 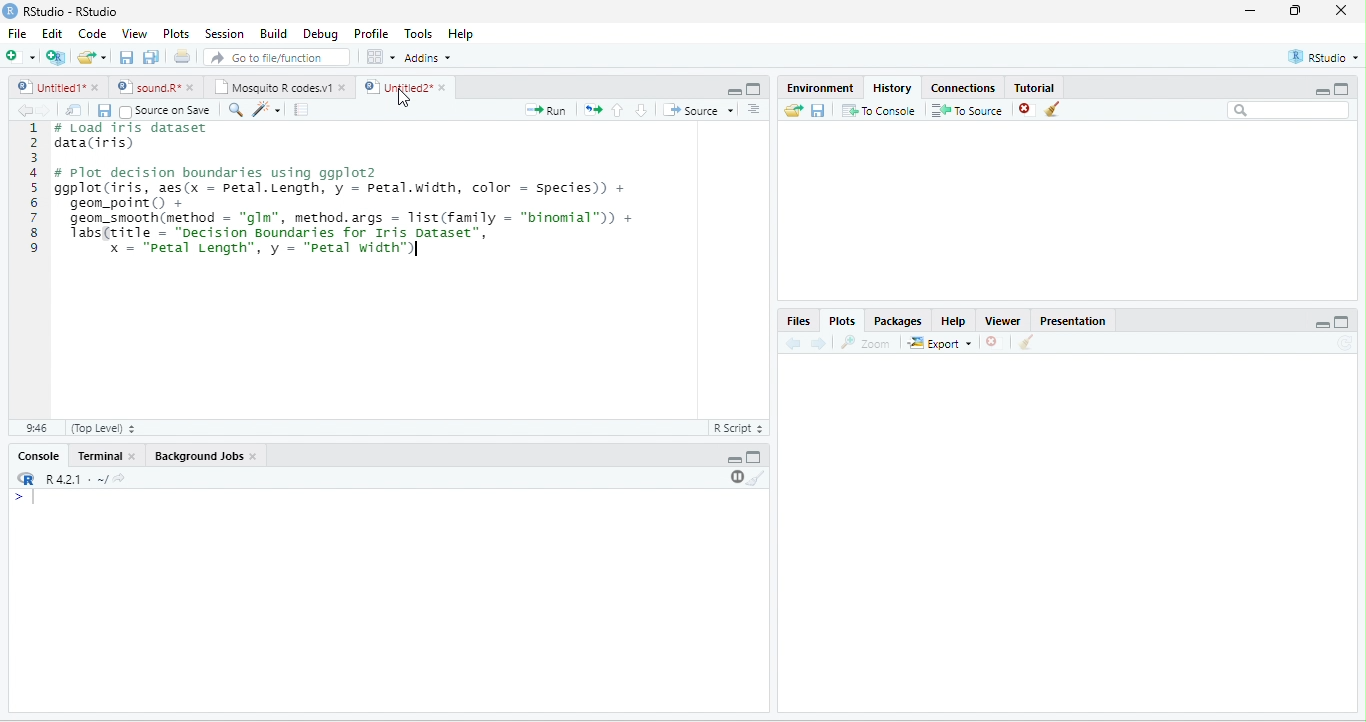 What do you see at coordinates (545, 110) in the screenshot?
I see `Run file` at bounding box center [545, 110].